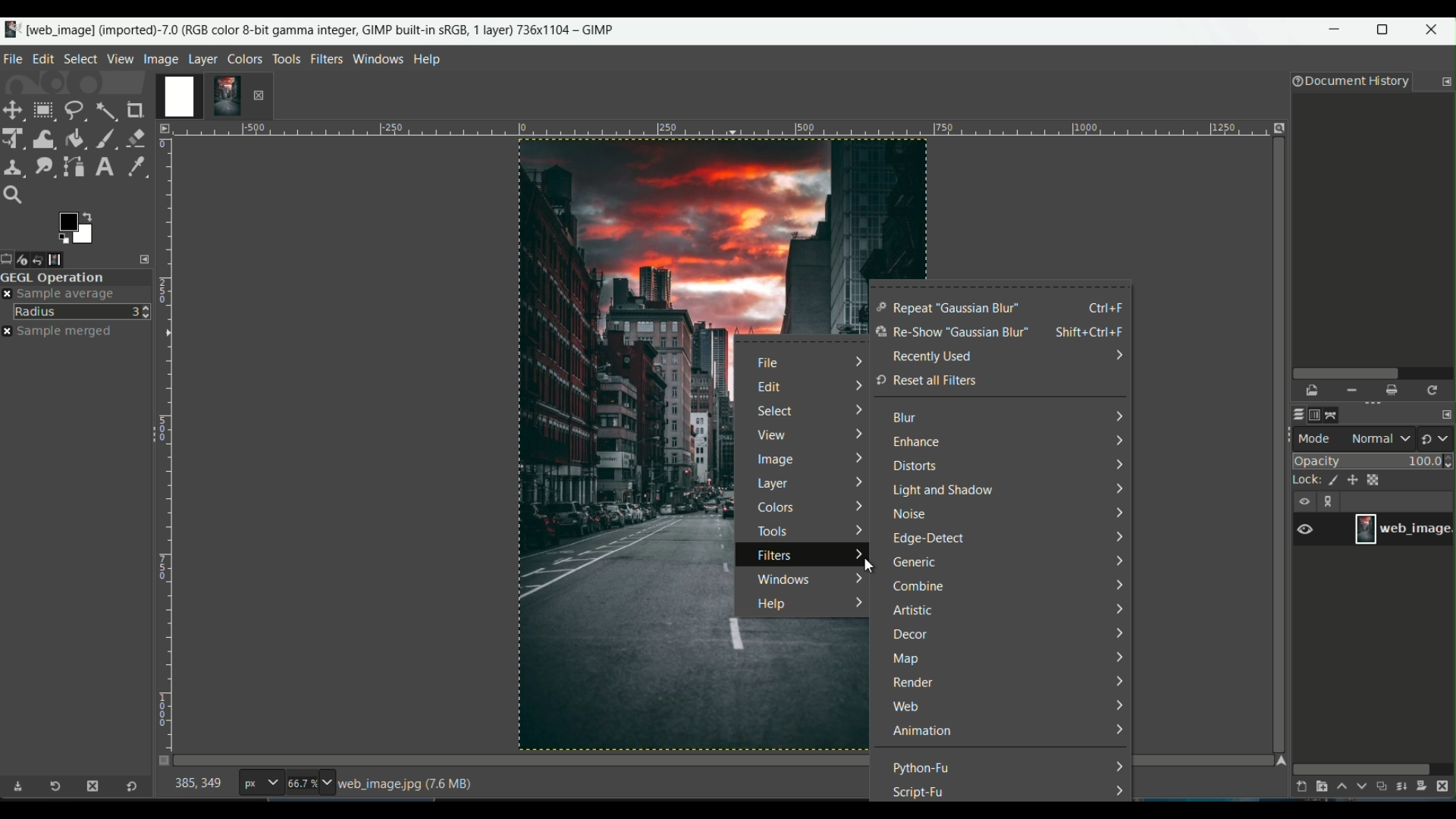  What do you see at coordinates (717, 133) in the screenshot?
I see `width measuring scale` at bounding box center [717, 133].